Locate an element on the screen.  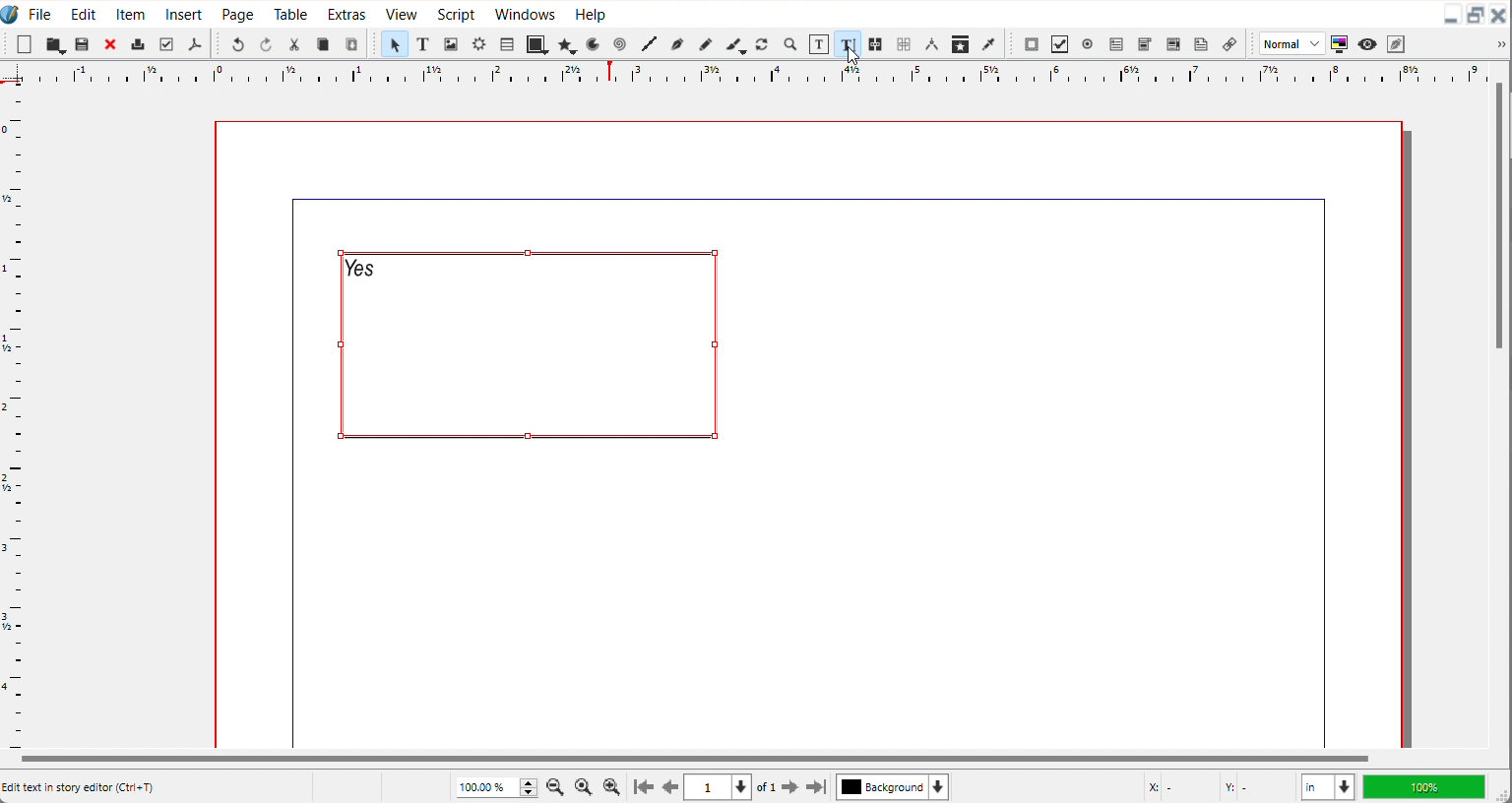
Maximize is located at coordinates (1476, 16).